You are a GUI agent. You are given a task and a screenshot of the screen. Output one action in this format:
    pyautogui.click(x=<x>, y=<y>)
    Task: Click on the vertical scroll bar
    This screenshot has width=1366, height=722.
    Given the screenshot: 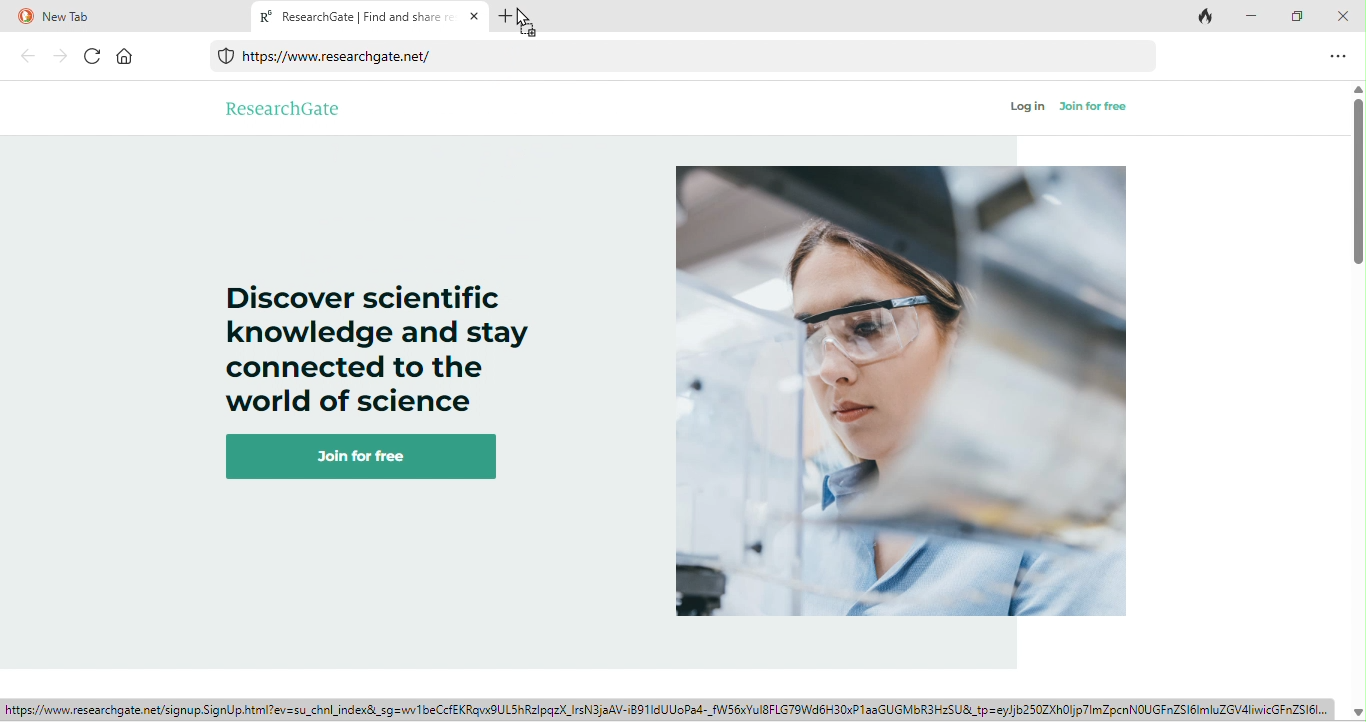 What is the action you would take?
    pyautogui.click(x=1357, y=181)
    